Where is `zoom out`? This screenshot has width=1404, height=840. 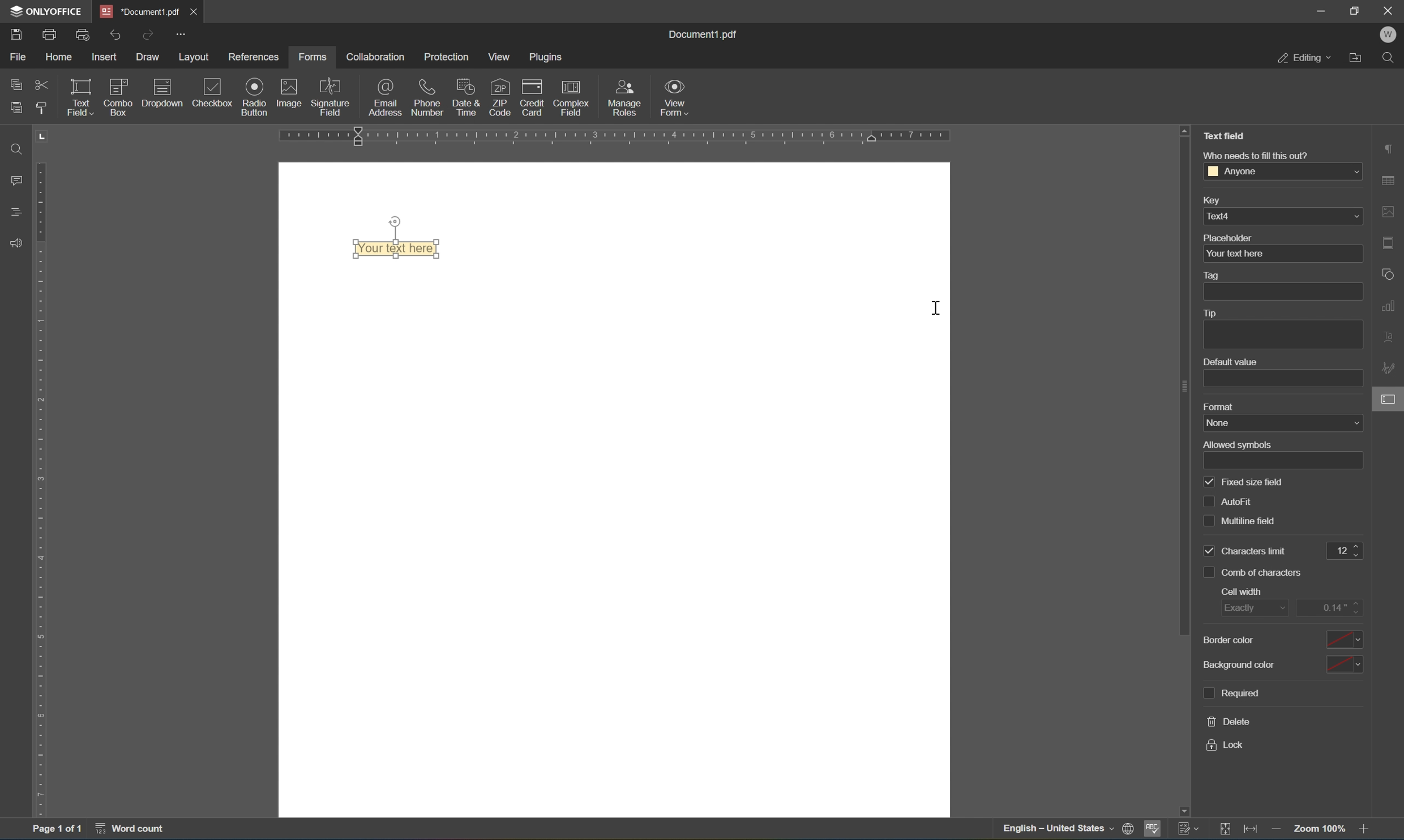 zoom out is located at coordinates (1367, 830).